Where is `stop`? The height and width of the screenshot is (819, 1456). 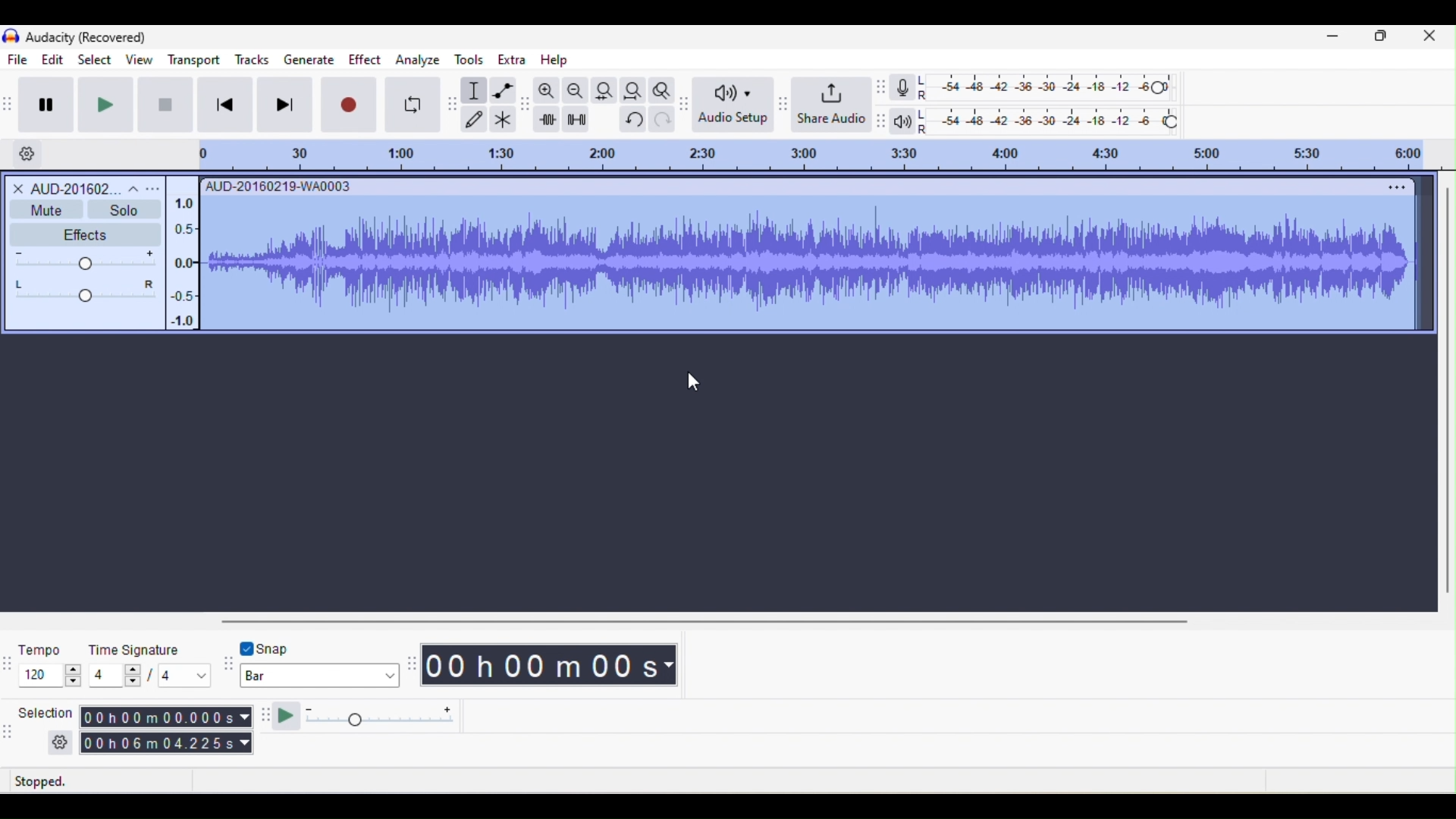 stop is located at coordinates (163, 104).